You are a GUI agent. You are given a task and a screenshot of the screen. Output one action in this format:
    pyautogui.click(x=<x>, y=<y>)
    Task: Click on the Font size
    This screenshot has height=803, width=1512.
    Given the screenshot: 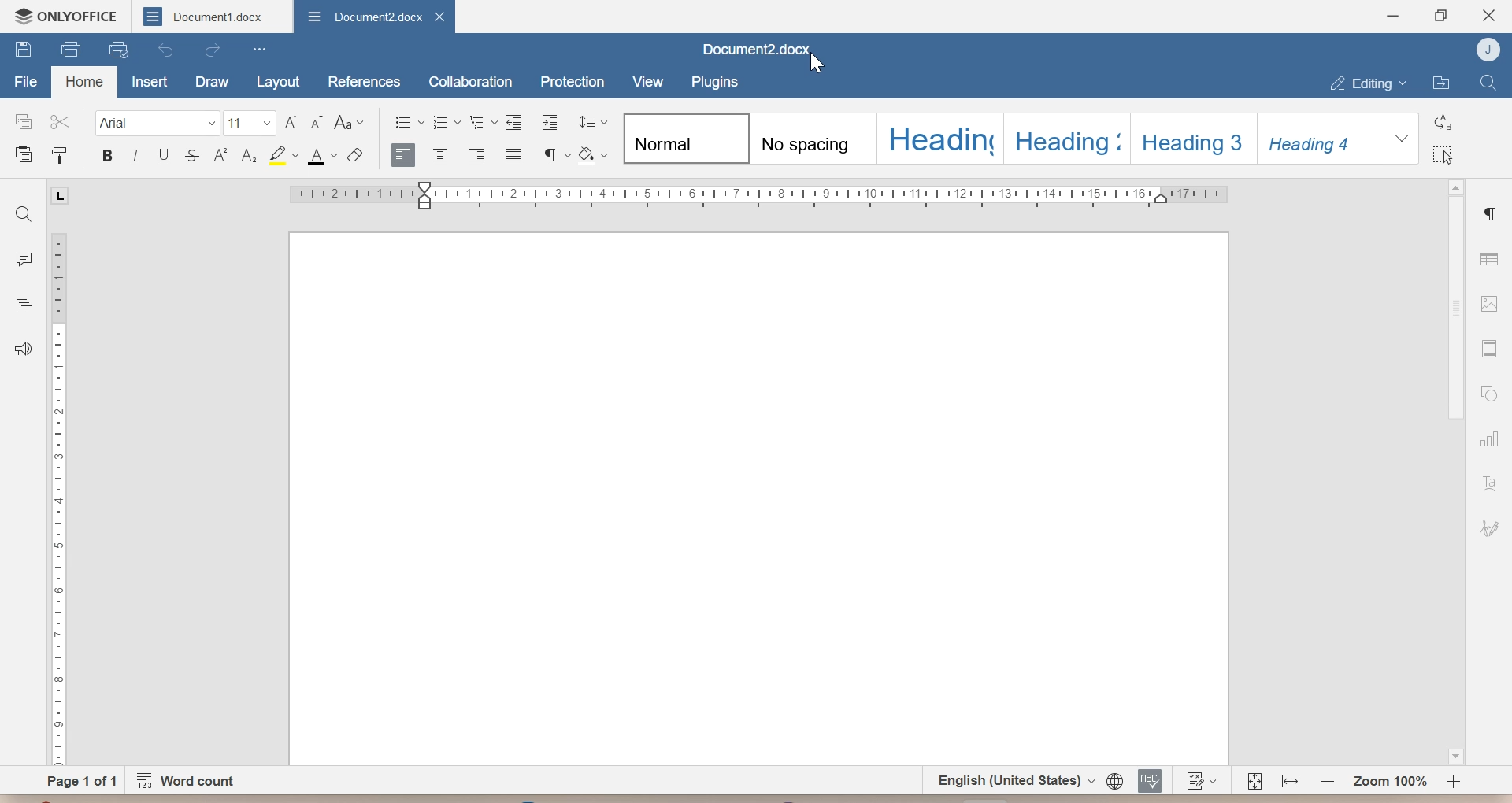 What is the action you would take?
    pyautogui.click(x=250, y=125)
    